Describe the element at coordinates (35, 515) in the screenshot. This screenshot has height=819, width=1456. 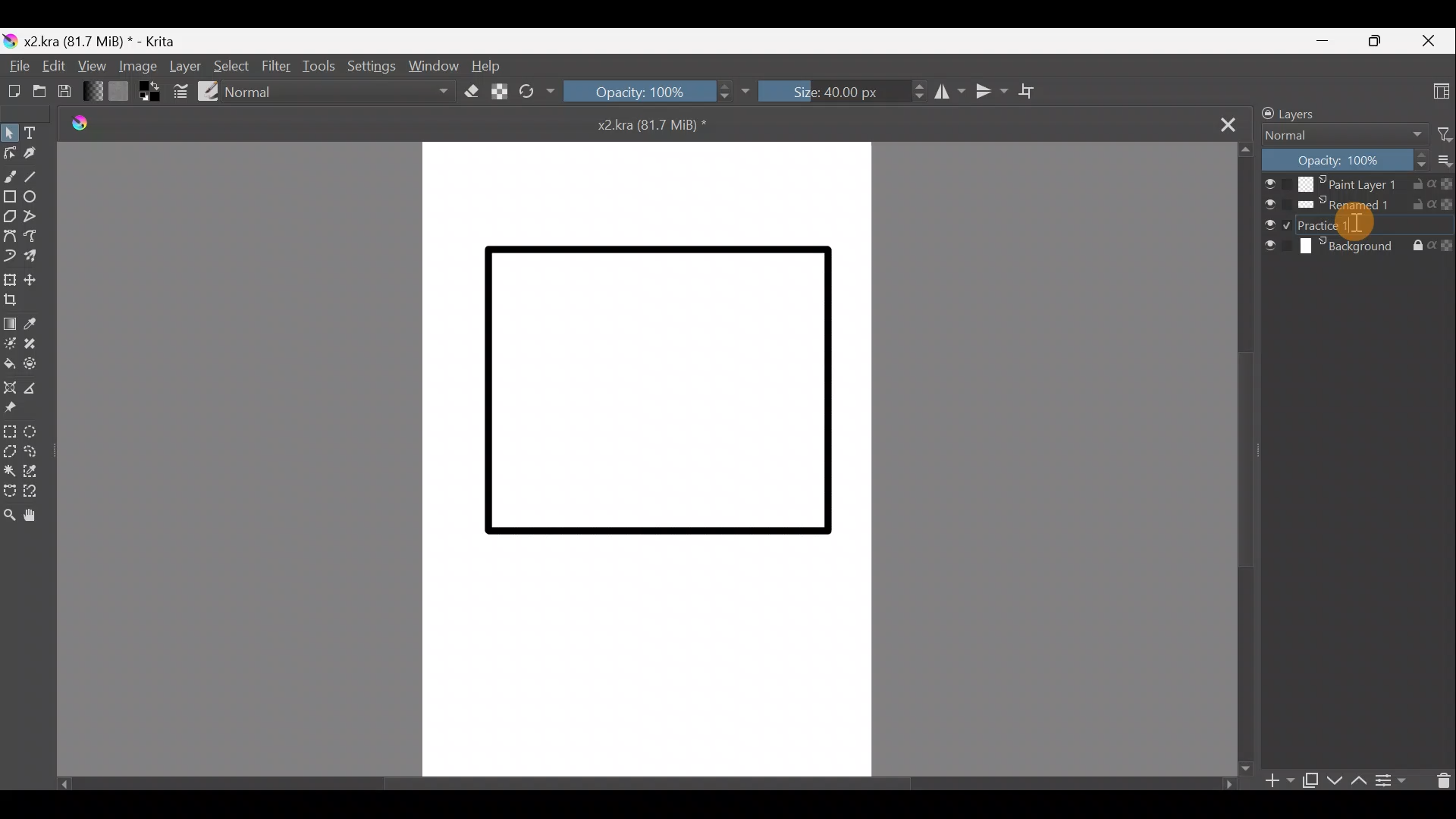
I see `Pan tool` at that location.